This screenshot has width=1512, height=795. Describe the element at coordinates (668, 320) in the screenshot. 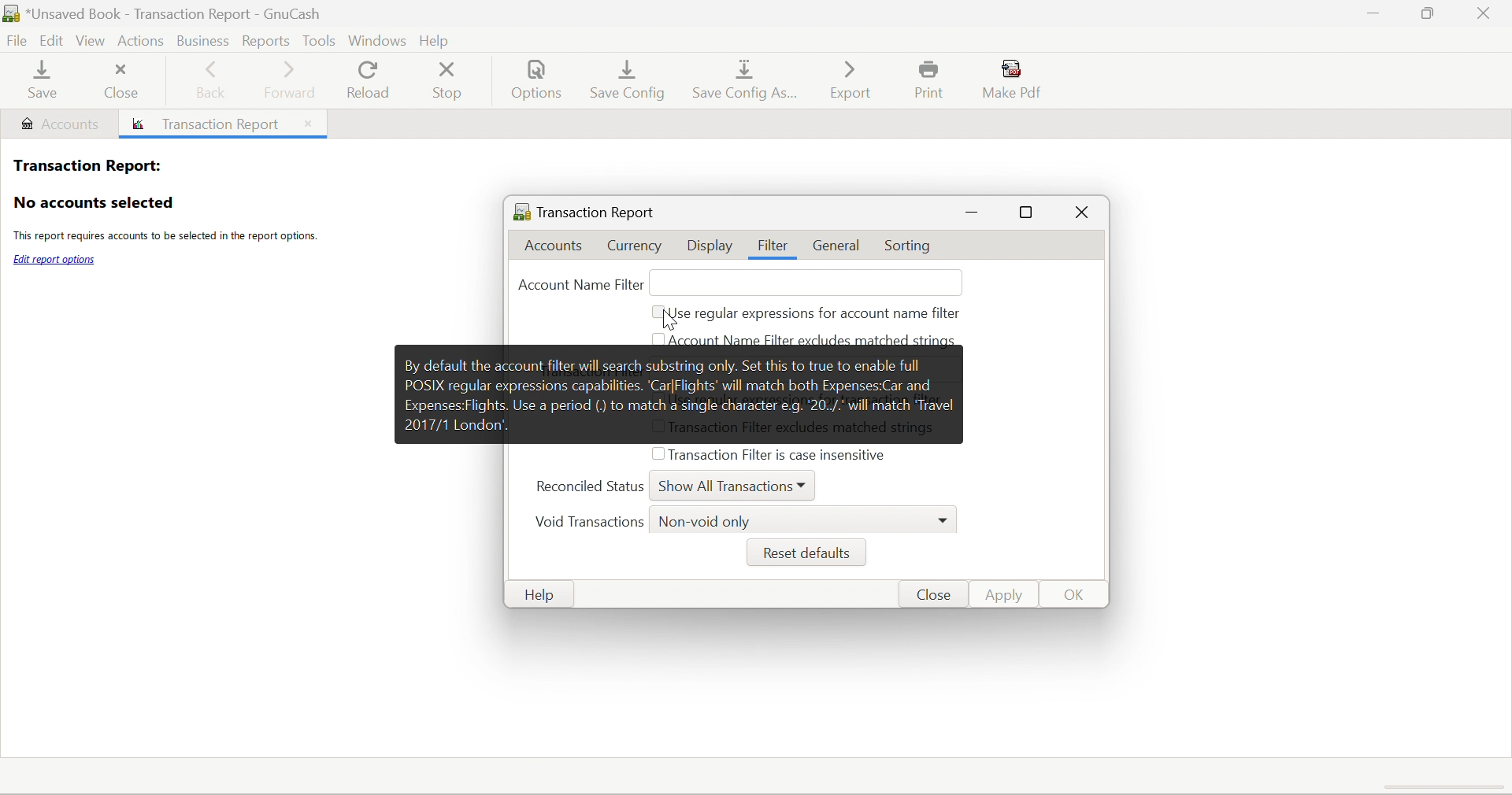

I see `cursor` at that location.